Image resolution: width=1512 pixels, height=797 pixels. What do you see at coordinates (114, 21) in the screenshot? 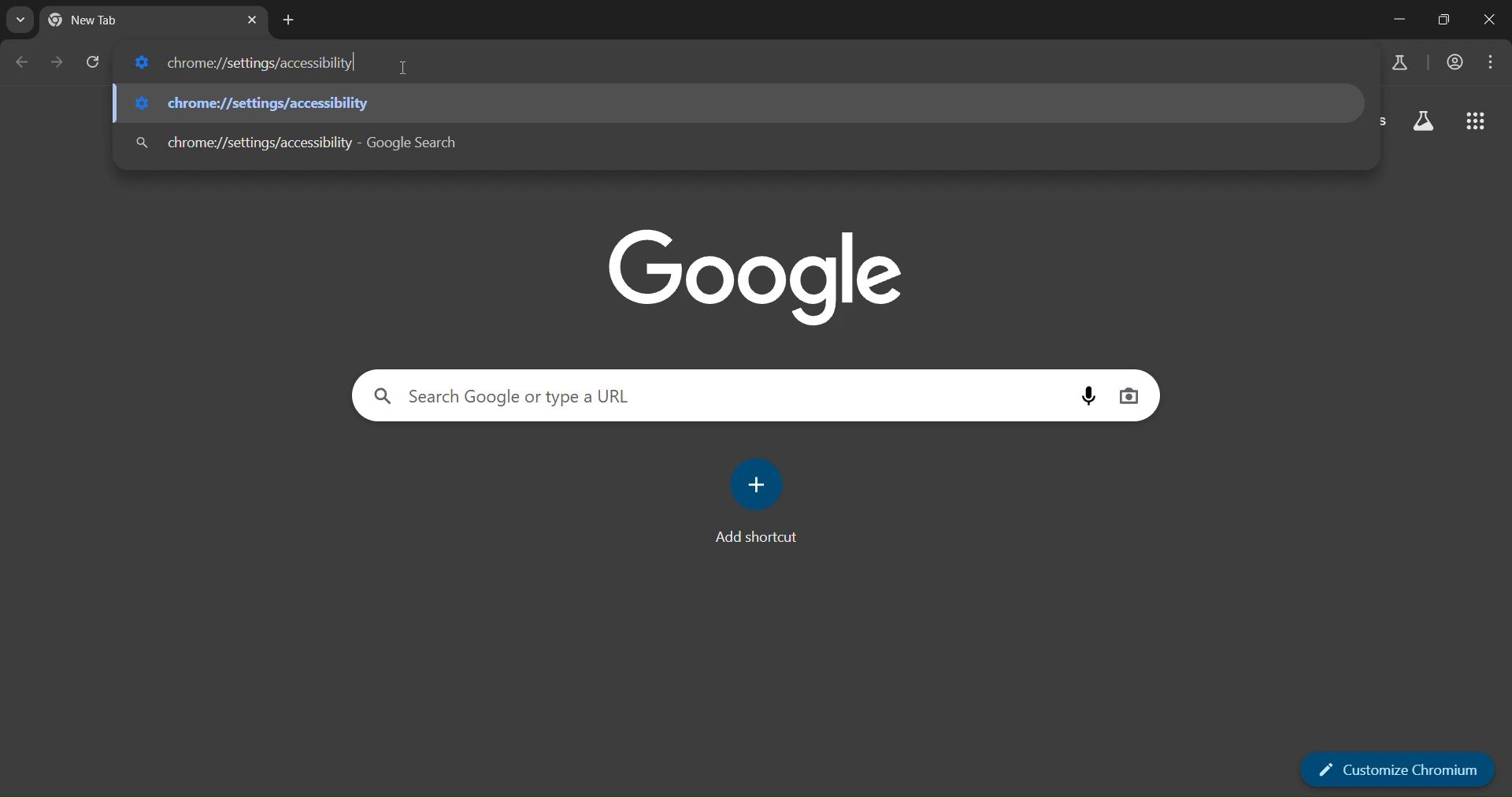
I see `New Tab` at bounding box center [114, 21].